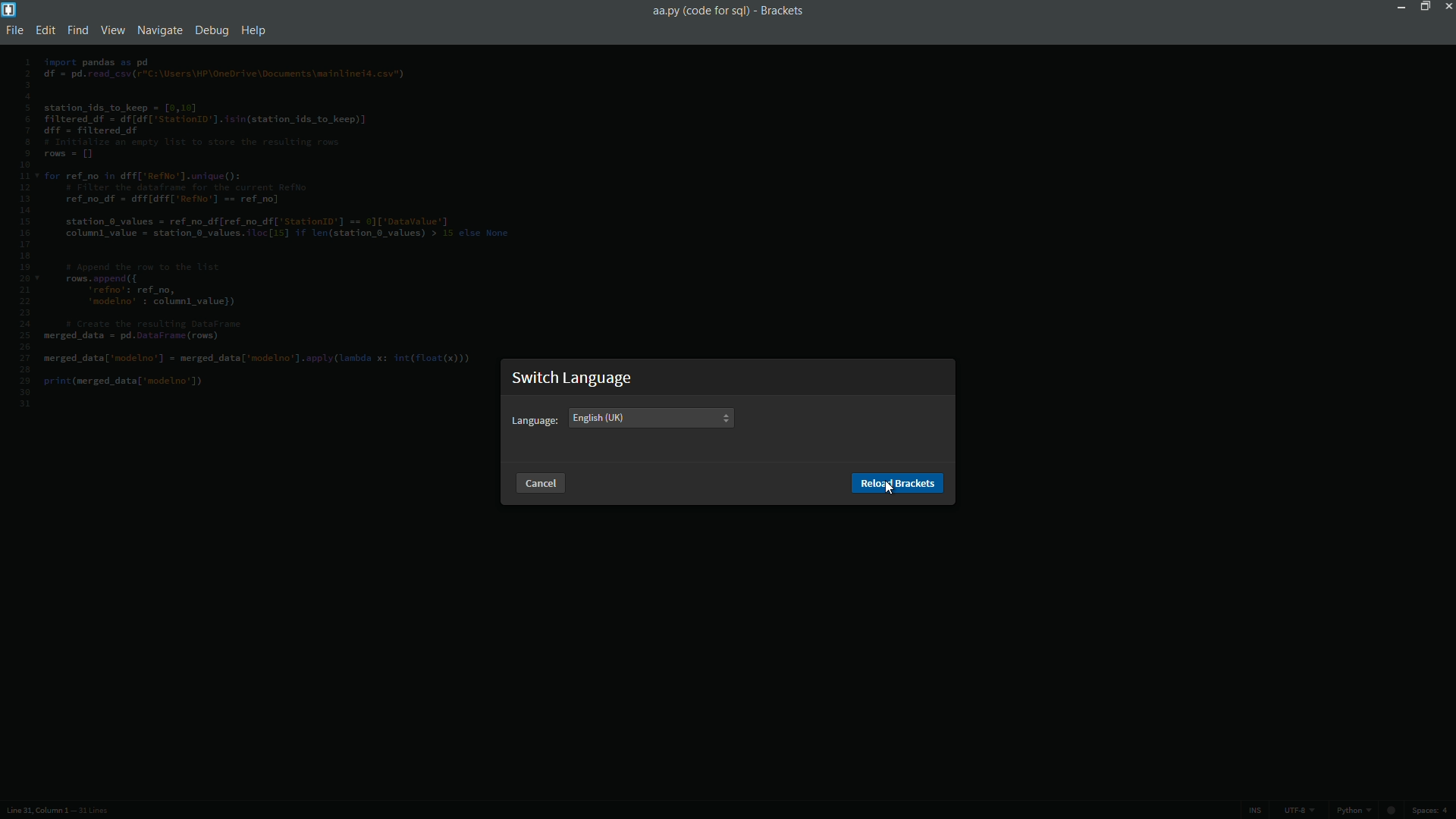 The width and height of the screenshot is (1456, 819). I want to click on ins, so click(1254, 811).